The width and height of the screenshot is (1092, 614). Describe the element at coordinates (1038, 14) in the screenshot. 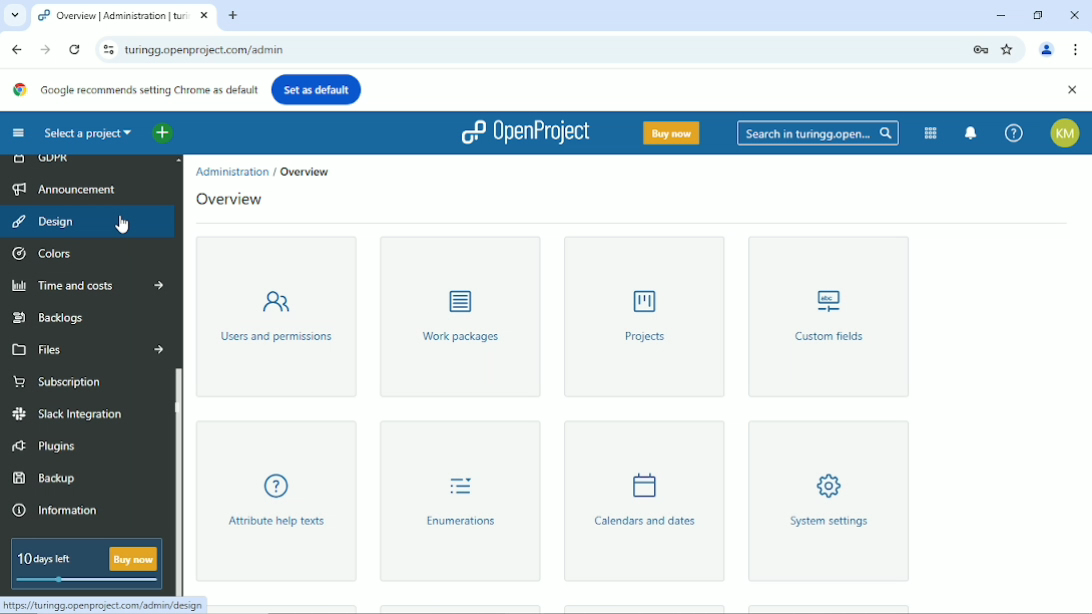

I see `Restore down` at that location.